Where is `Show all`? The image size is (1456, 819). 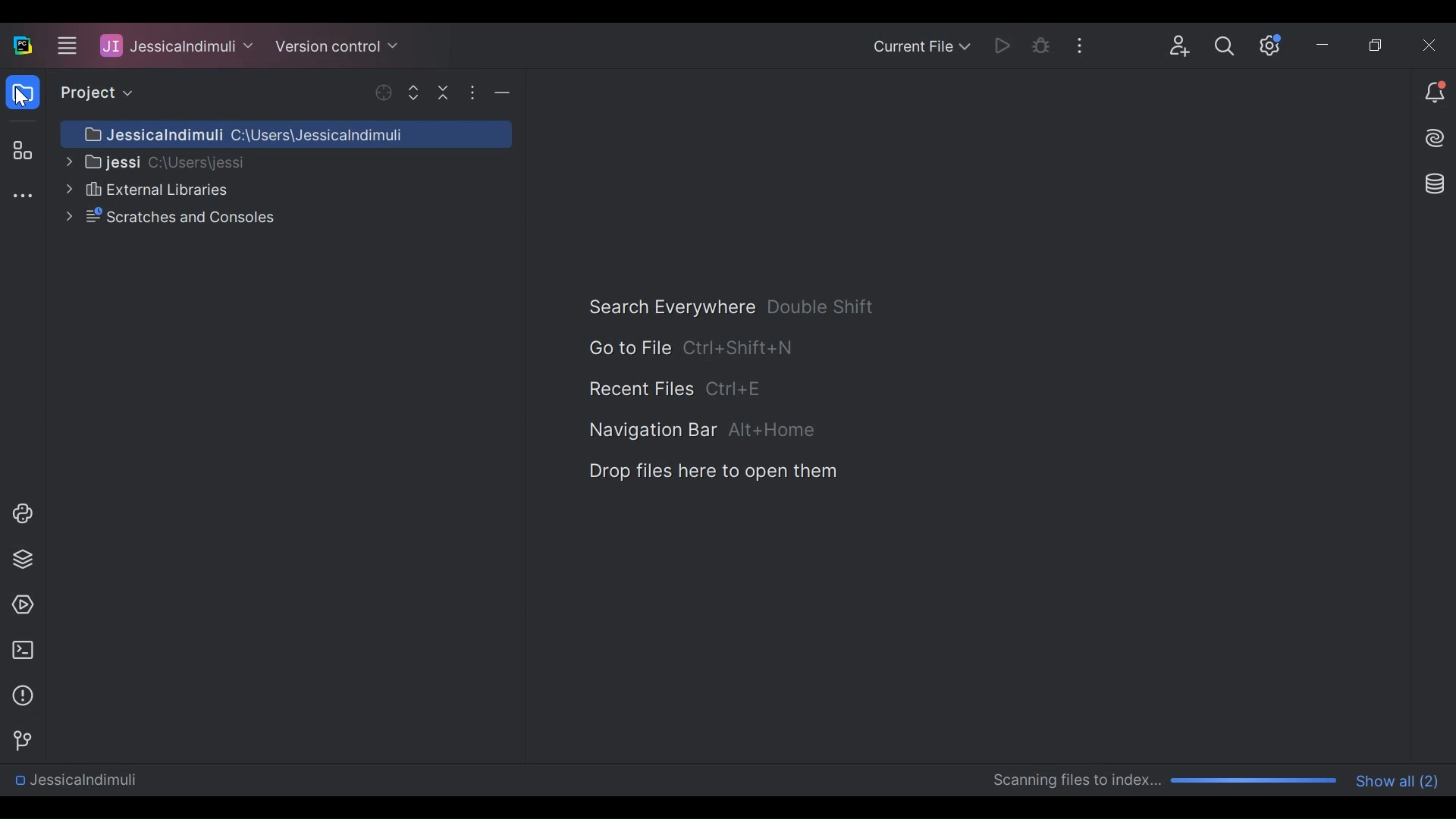 Show all is located at coordinates (1396, 781).